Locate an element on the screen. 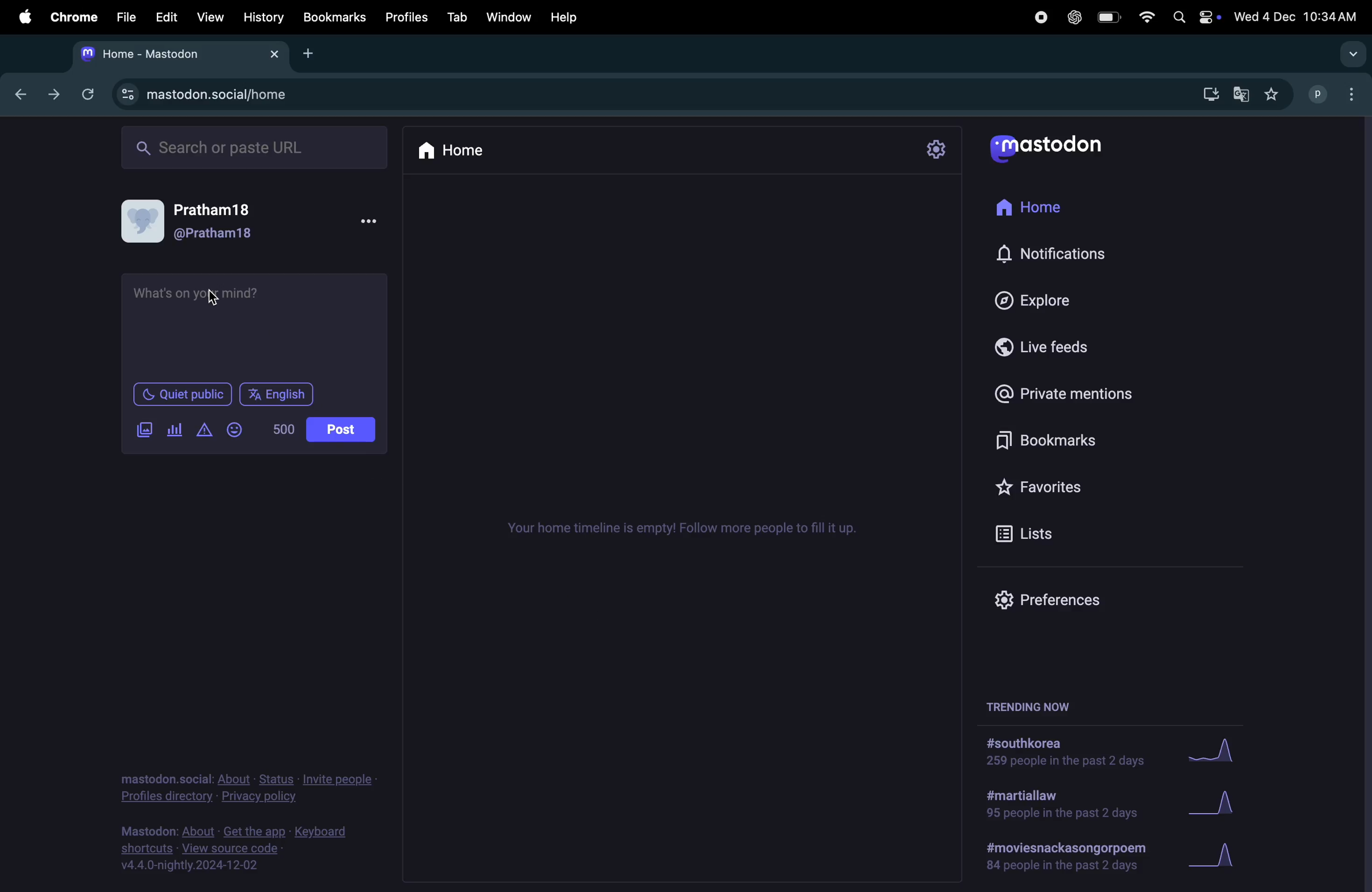 The image size is (1372, 892). google translate is located at coordinates (1239, 94).